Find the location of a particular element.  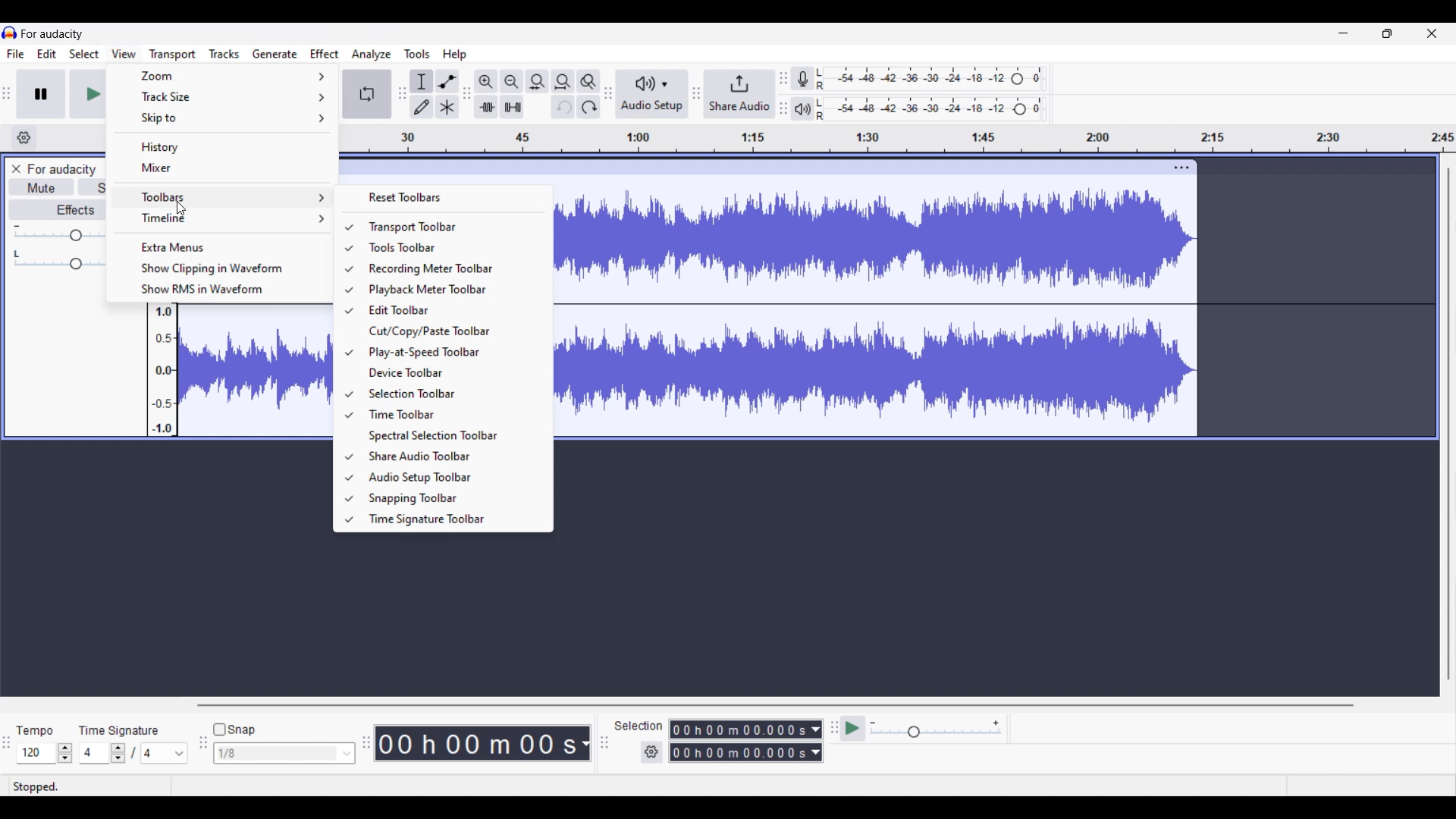

Redo is located at coordinates (589, 106).